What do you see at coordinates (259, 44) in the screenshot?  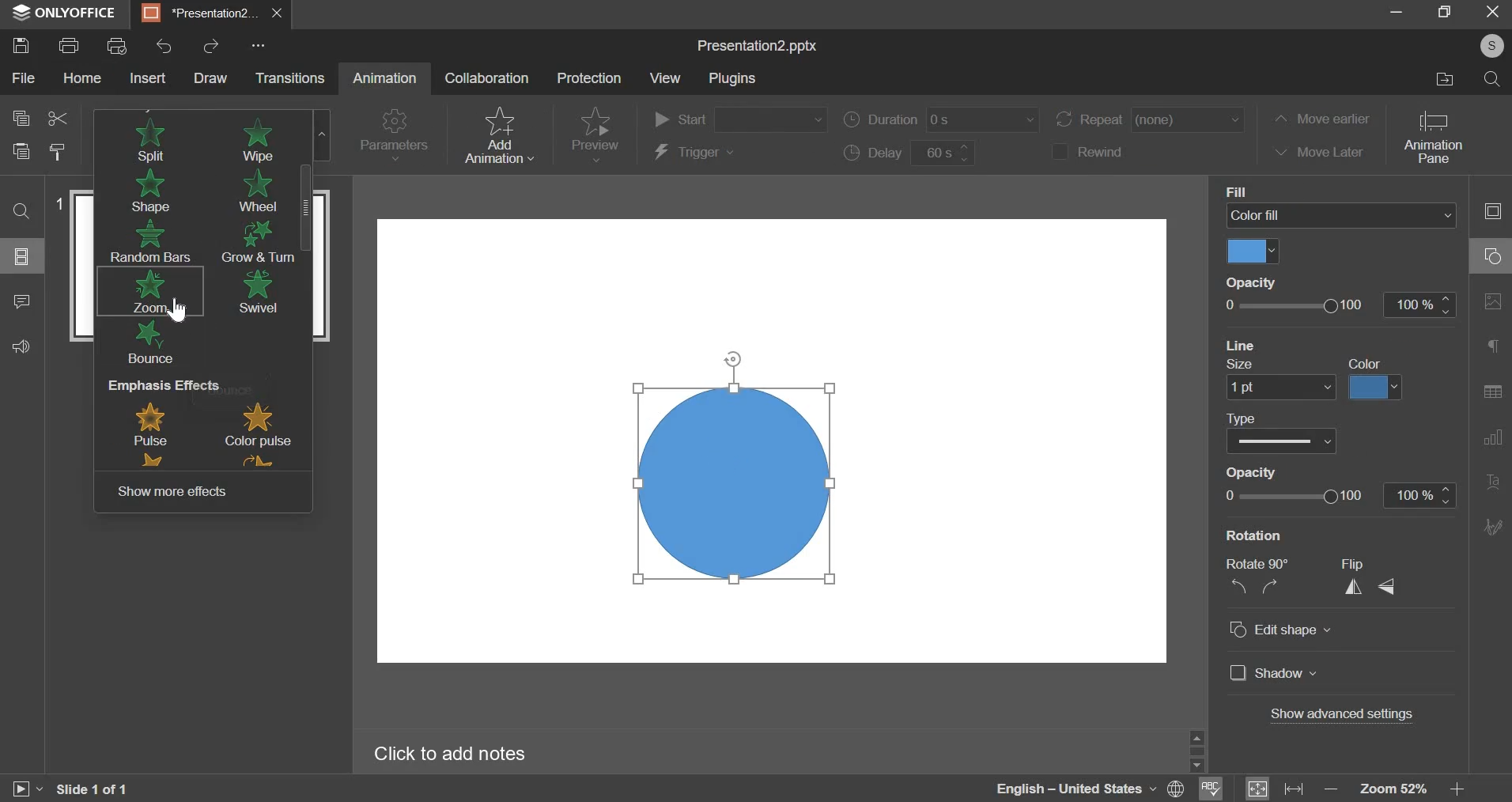 I see `` at bounding box center [259, 44].